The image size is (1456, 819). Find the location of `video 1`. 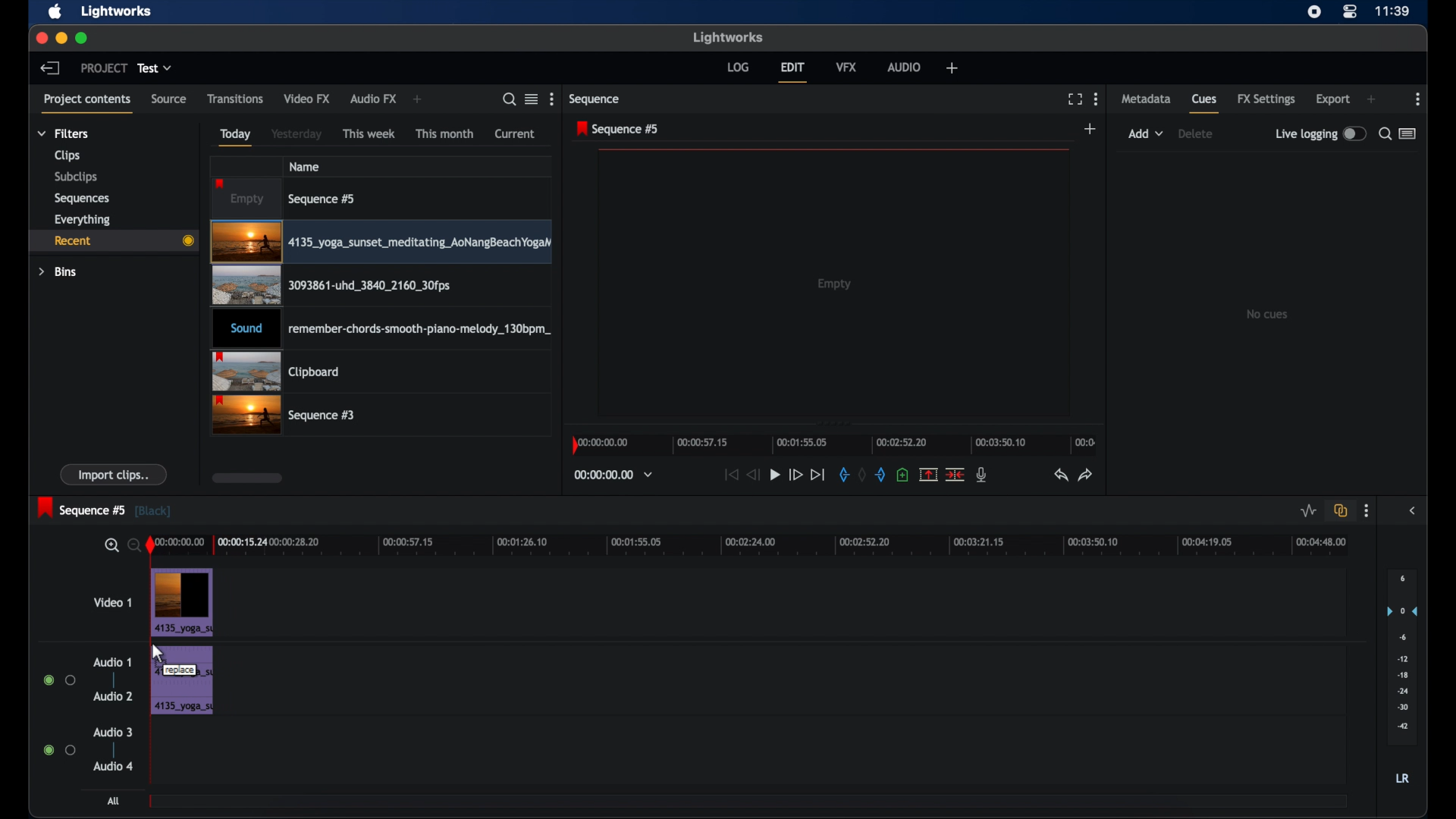

video 1 is located at coordinates (115, 602).